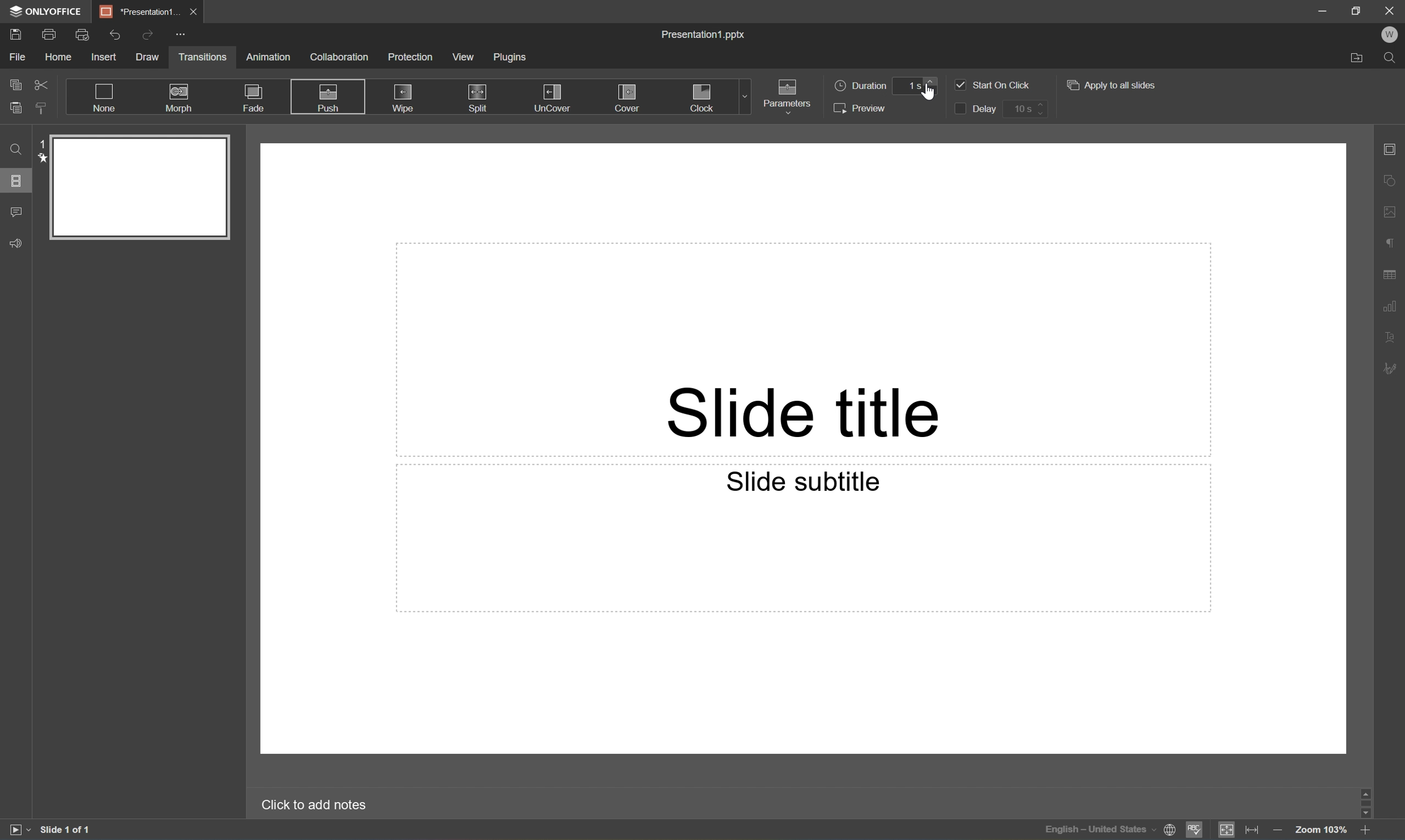 The height and width of the screenshot is (840, 1405). Describe the element at coordinates (1364, 831) in the screenshot. I see `Zoom in` at that location.